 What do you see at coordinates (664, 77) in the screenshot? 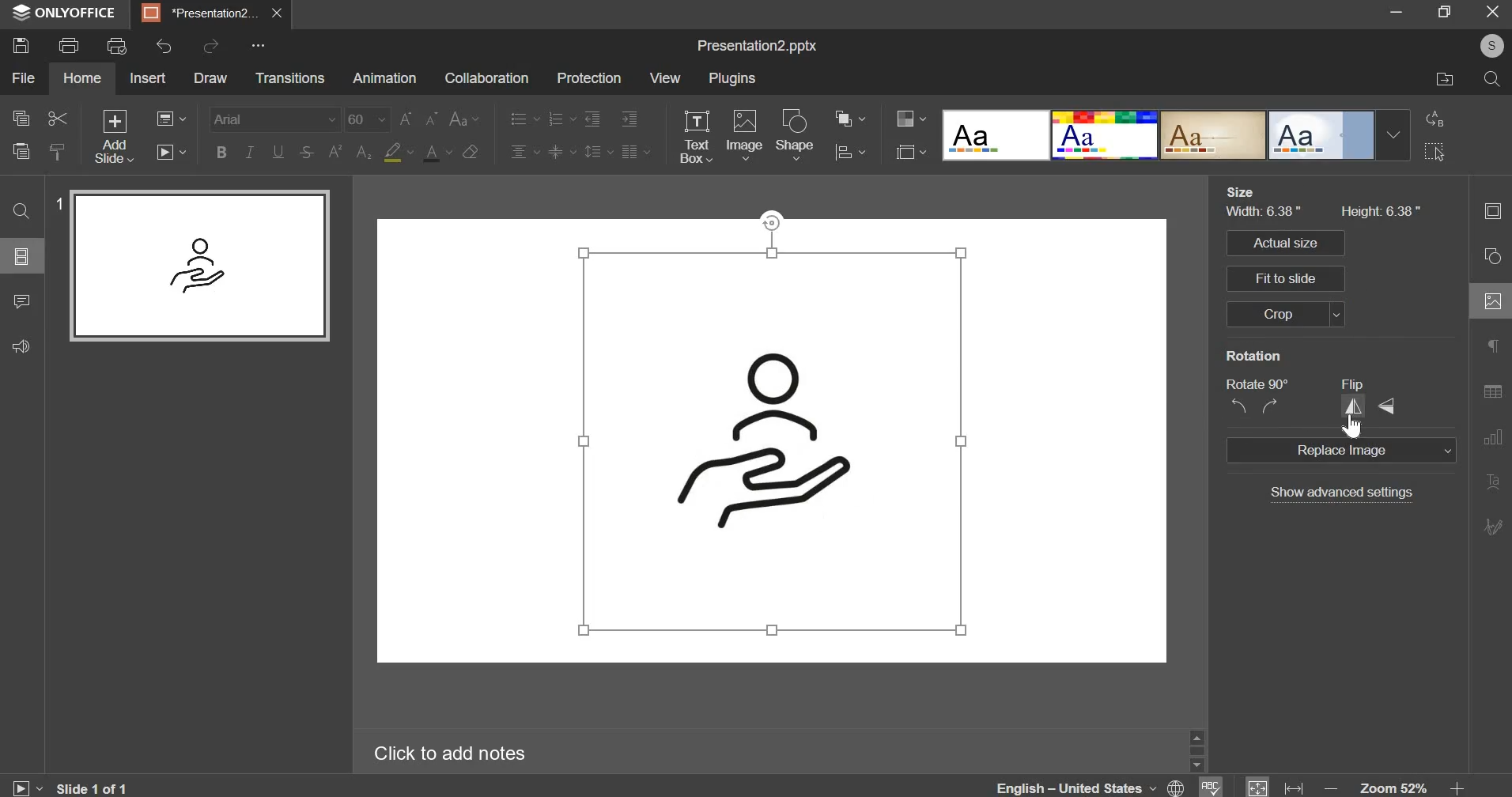
I see `view` at bounding box center [664, 77].